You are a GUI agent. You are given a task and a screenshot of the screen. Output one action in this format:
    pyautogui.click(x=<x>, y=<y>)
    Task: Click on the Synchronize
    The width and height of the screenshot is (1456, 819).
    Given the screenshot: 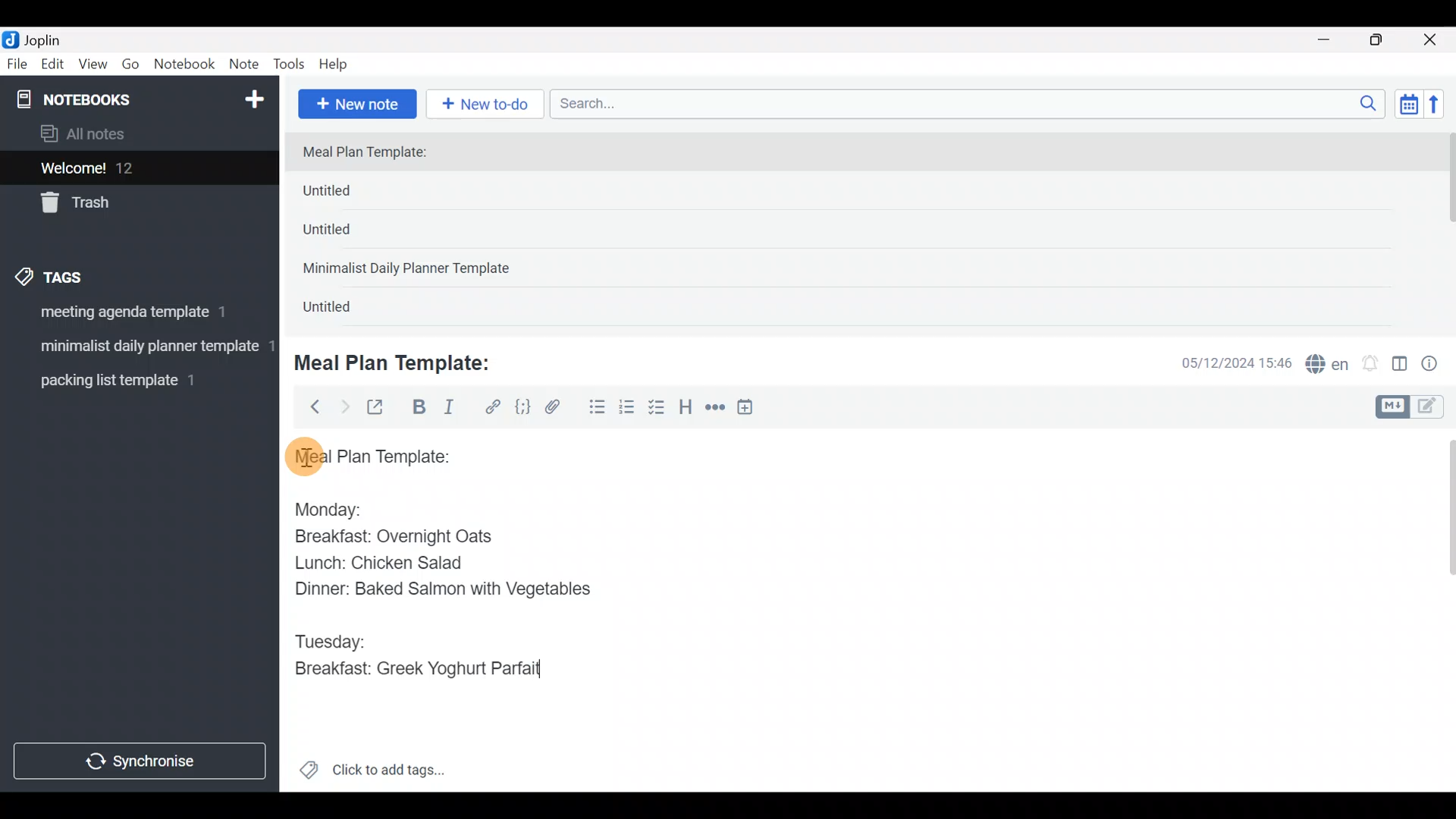 What is the action you would take?
    pyautogui.click(x=142, y=761)
    